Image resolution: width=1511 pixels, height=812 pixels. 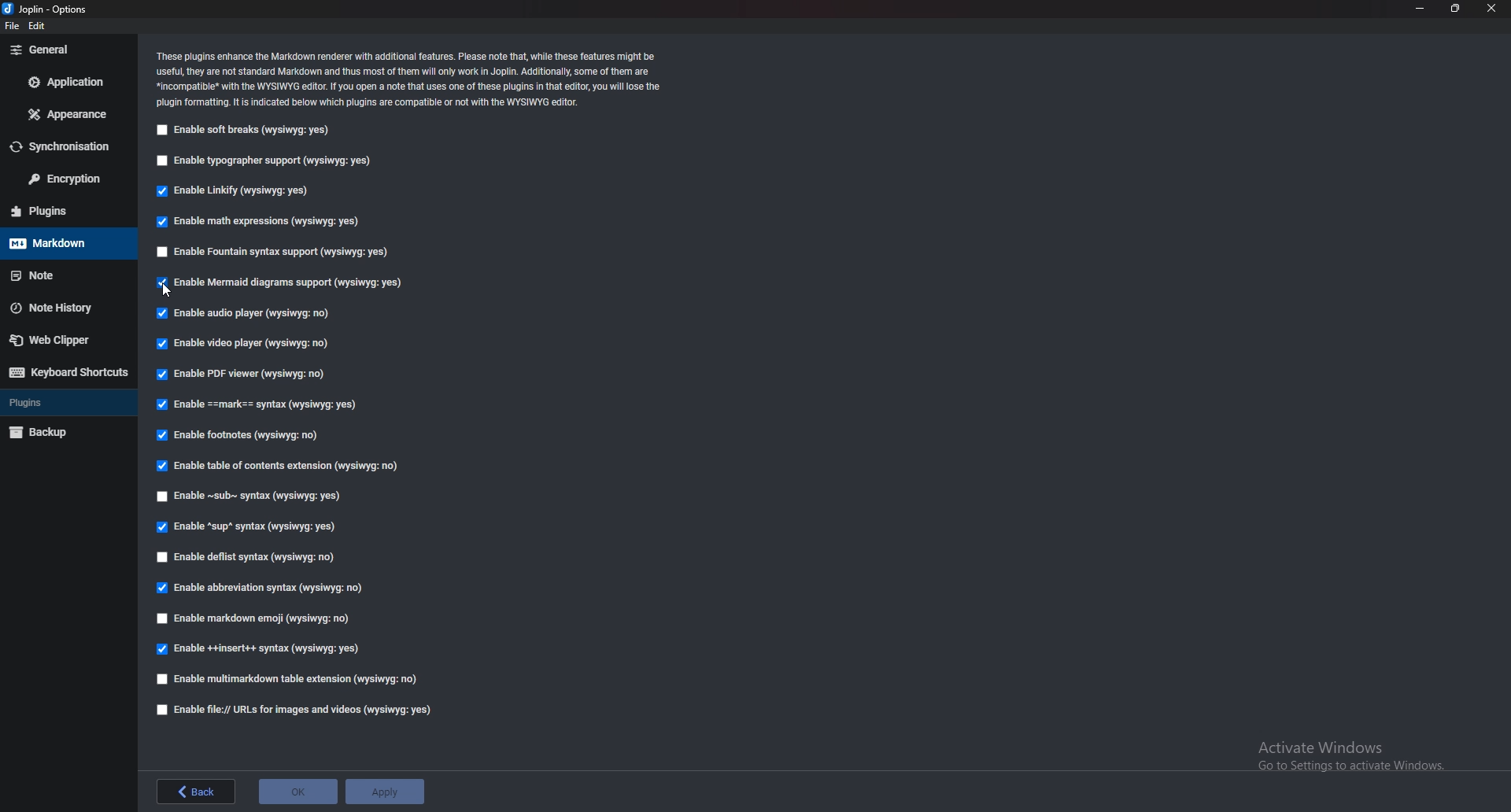 What do you see at coordinates (258, 620) in the screenshot?
I see `enable markdown emoji` at bounding box center [258, 620].